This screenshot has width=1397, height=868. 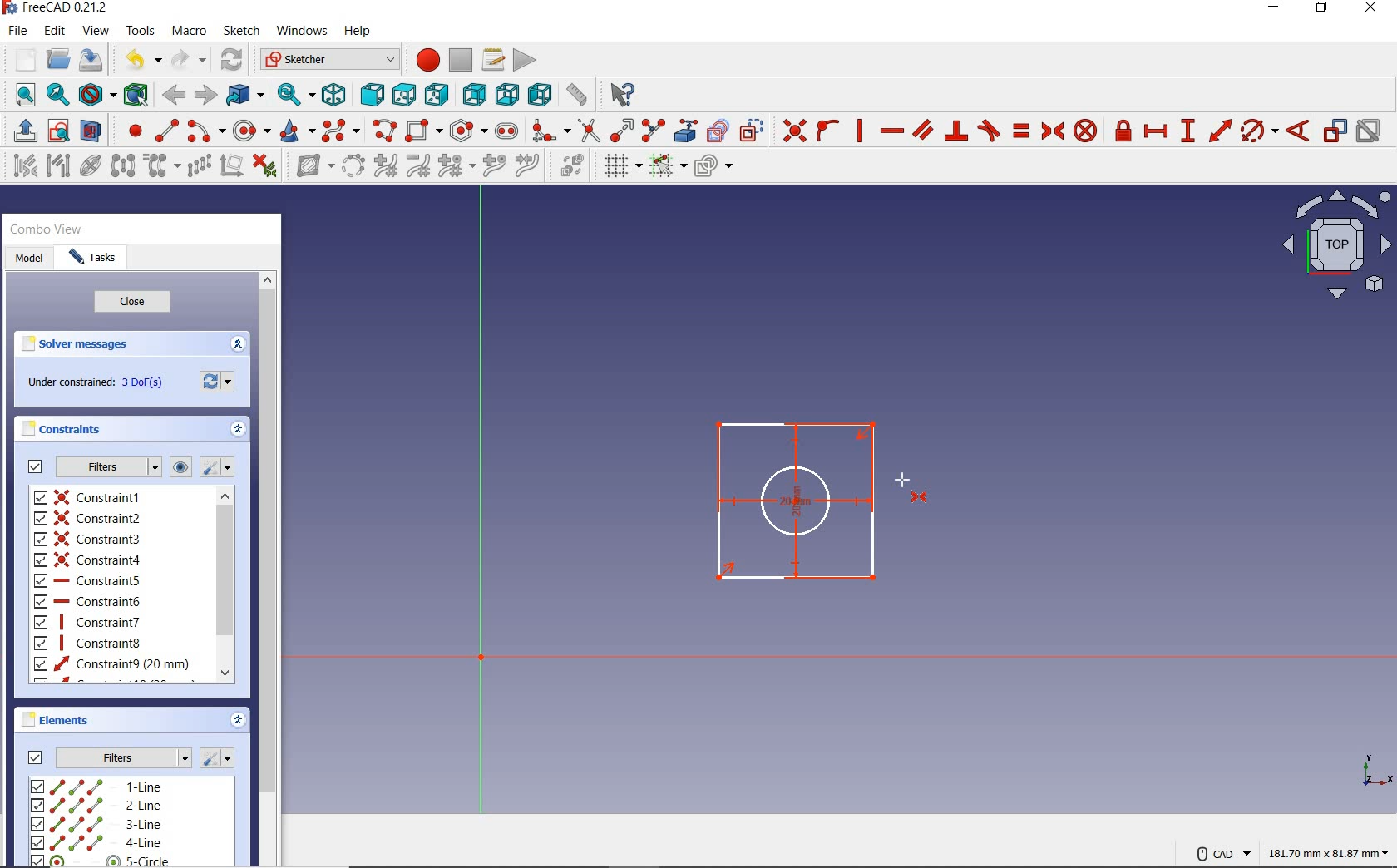 What do you see at coordinates (32, 469) in the screenshot?
I see `Filters heckbox` at bounding box center [32, 469].